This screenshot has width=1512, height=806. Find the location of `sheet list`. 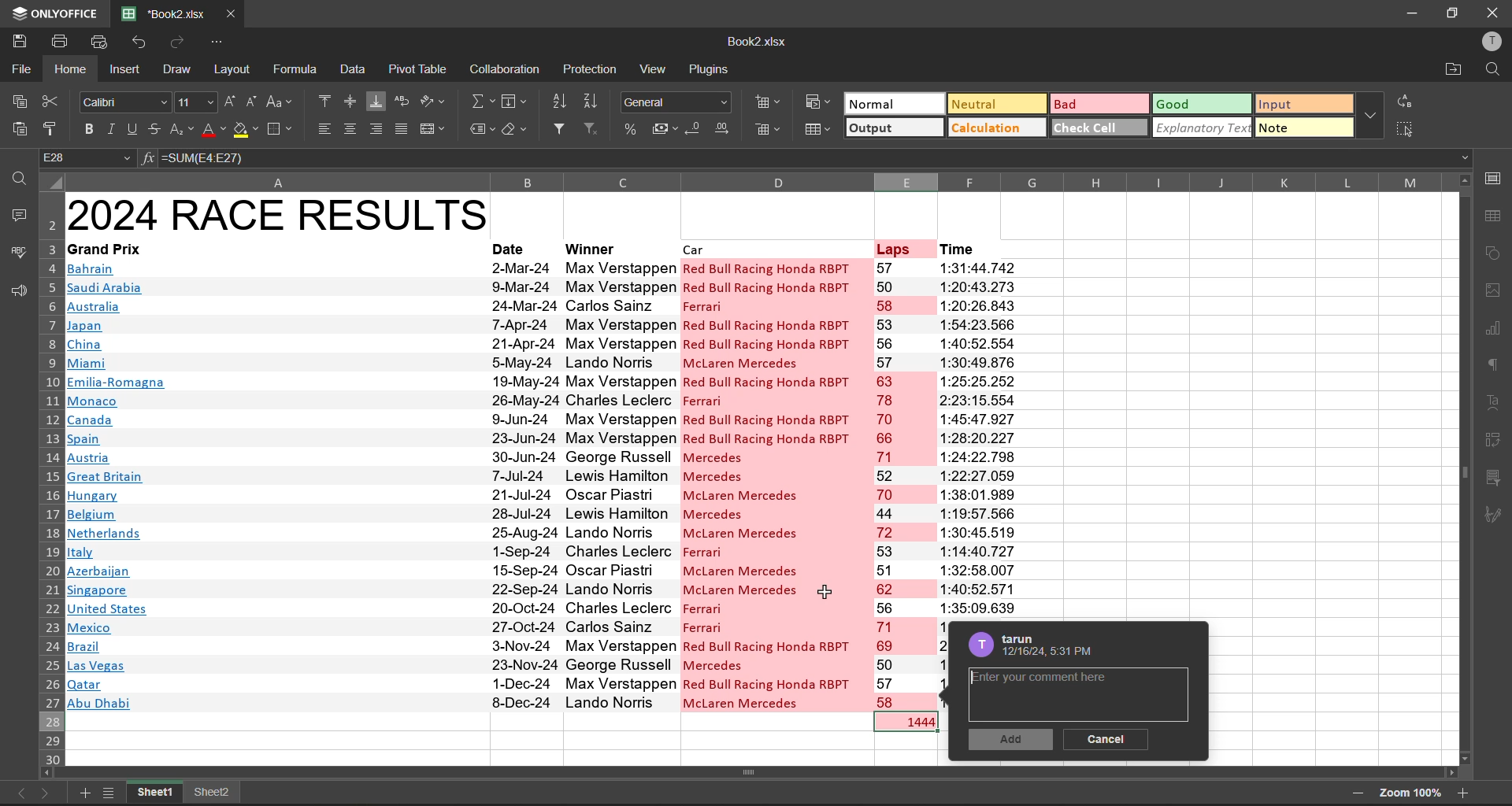

sheet list is located at coordinates (109, 793).